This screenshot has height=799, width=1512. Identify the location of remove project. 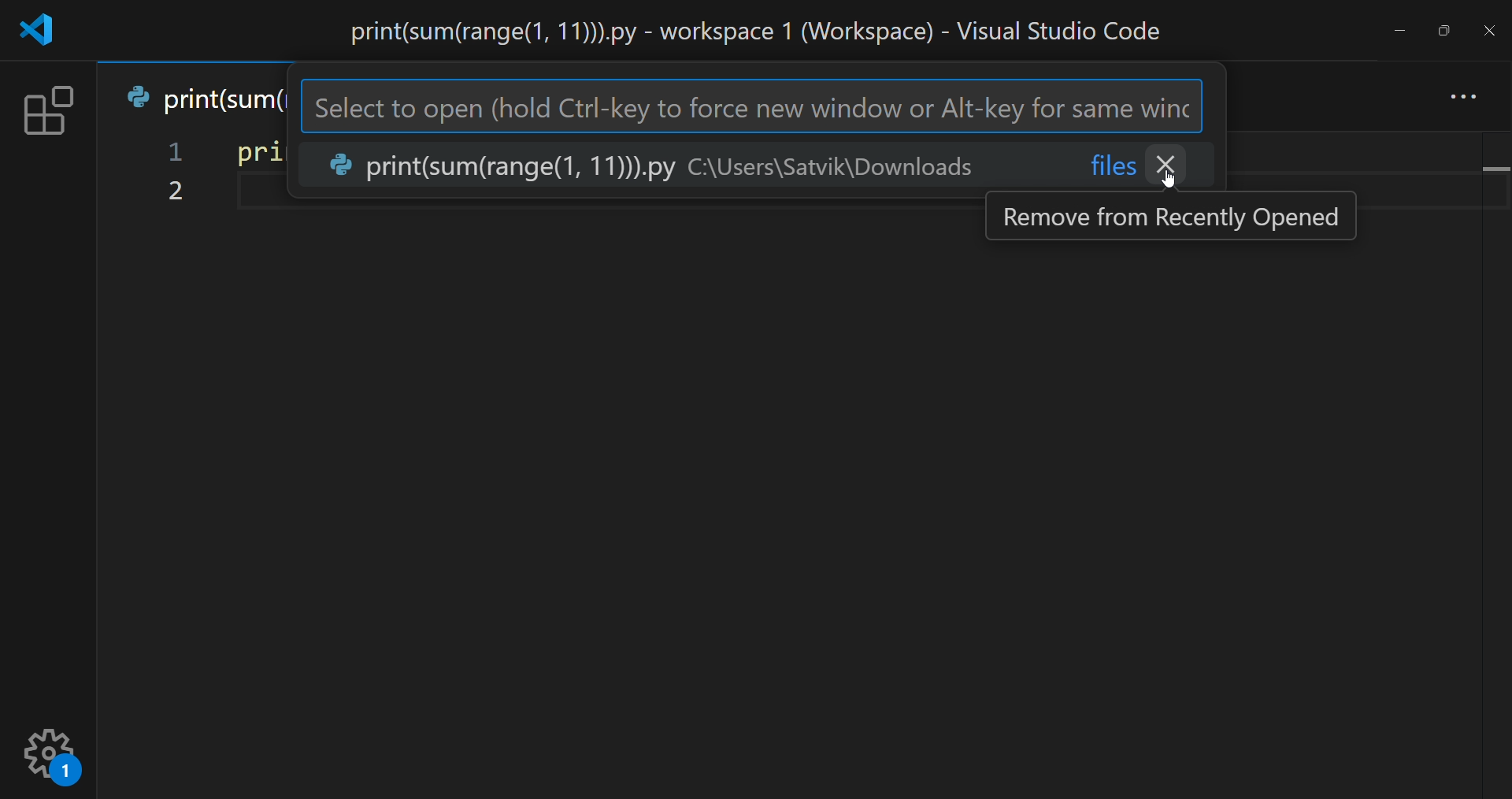
(1171, 164).